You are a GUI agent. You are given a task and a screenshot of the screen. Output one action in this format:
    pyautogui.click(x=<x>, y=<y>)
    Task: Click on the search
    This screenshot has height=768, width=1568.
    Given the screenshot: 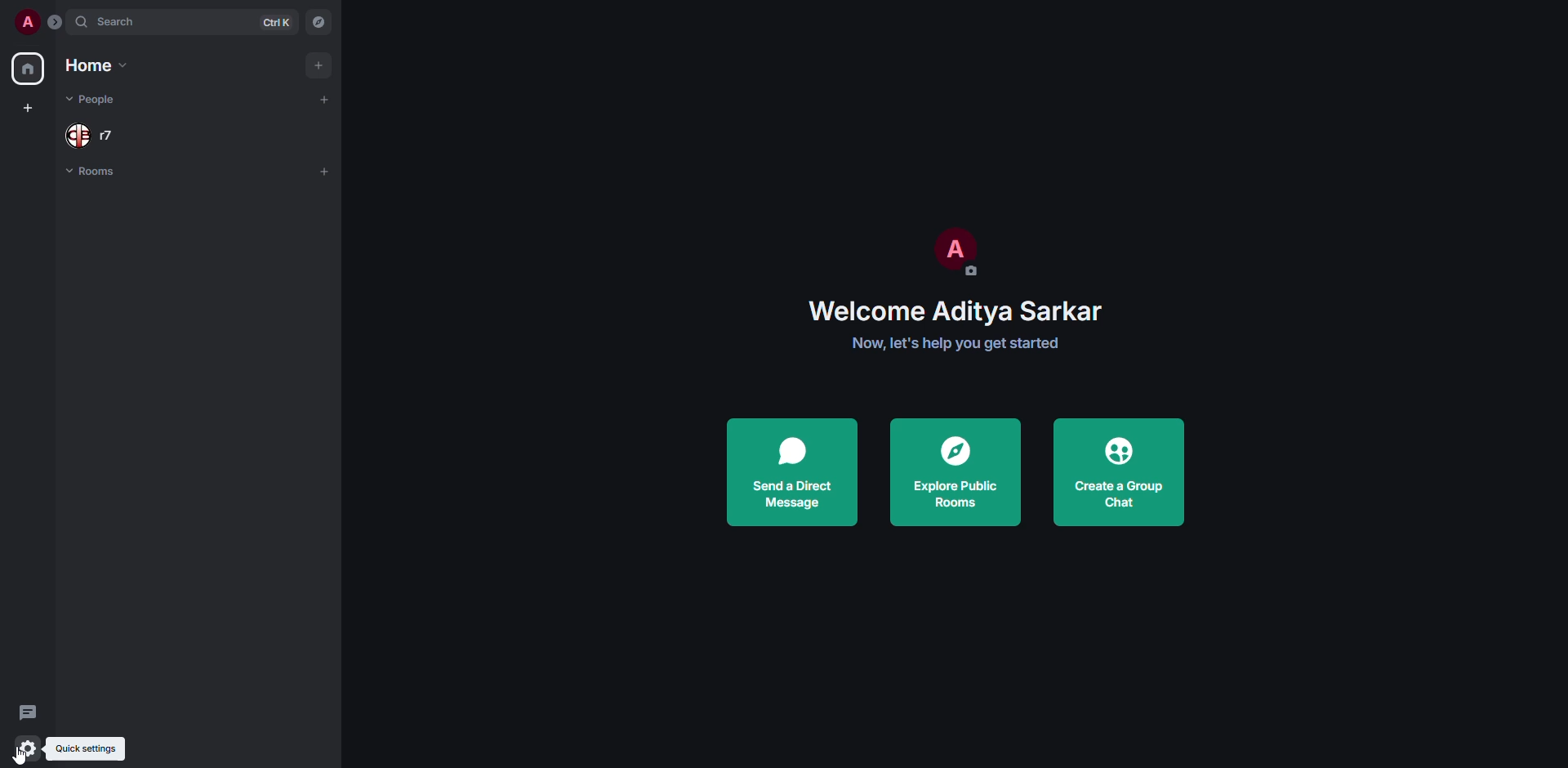 What is the action you would take?
    pyautogui.click(x=120, y=25)
    